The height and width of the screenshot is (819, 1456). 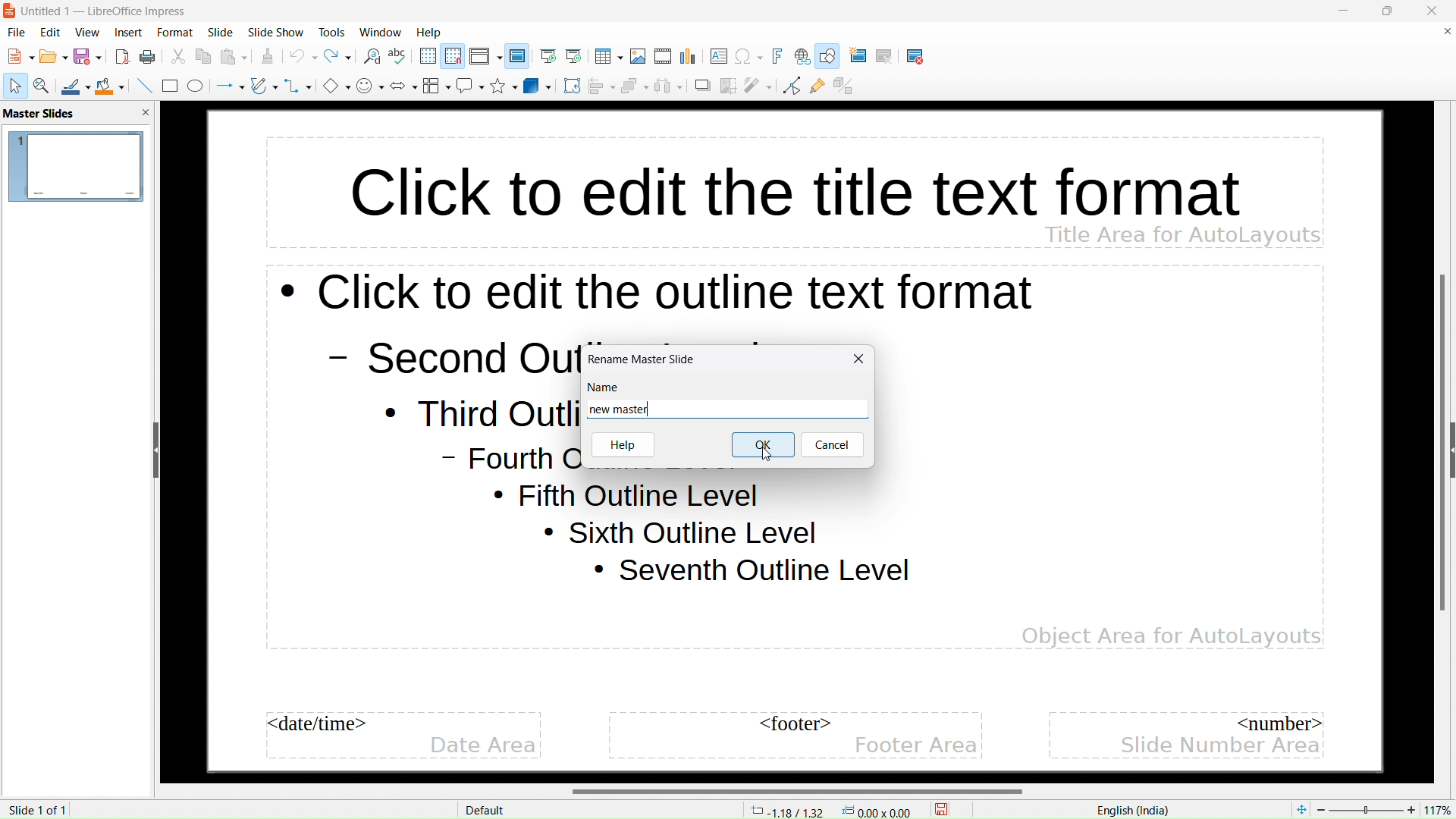 I want to click on master slide name: default, so click(x=75, y=165).